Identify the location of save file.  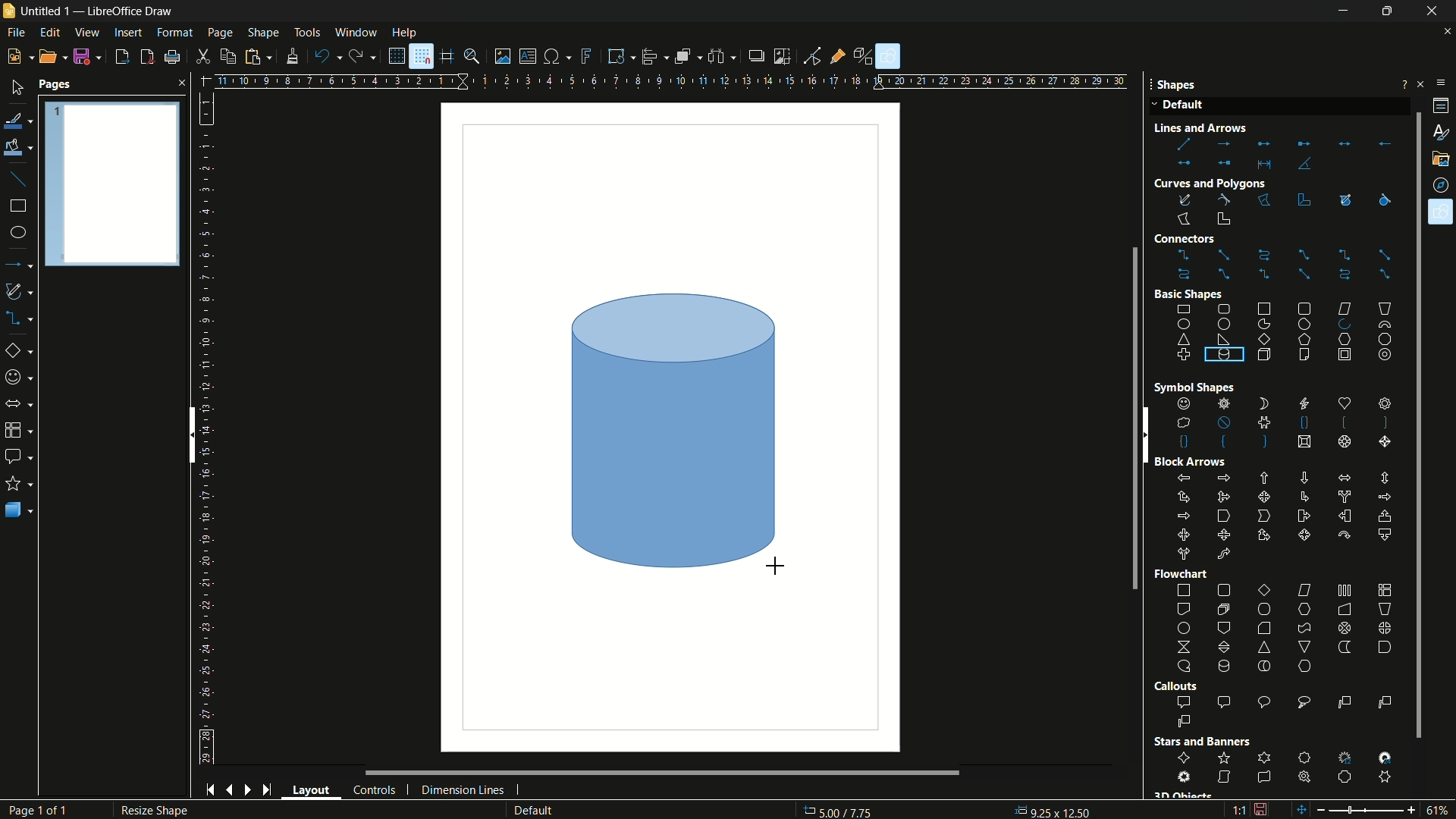
(88, 56).